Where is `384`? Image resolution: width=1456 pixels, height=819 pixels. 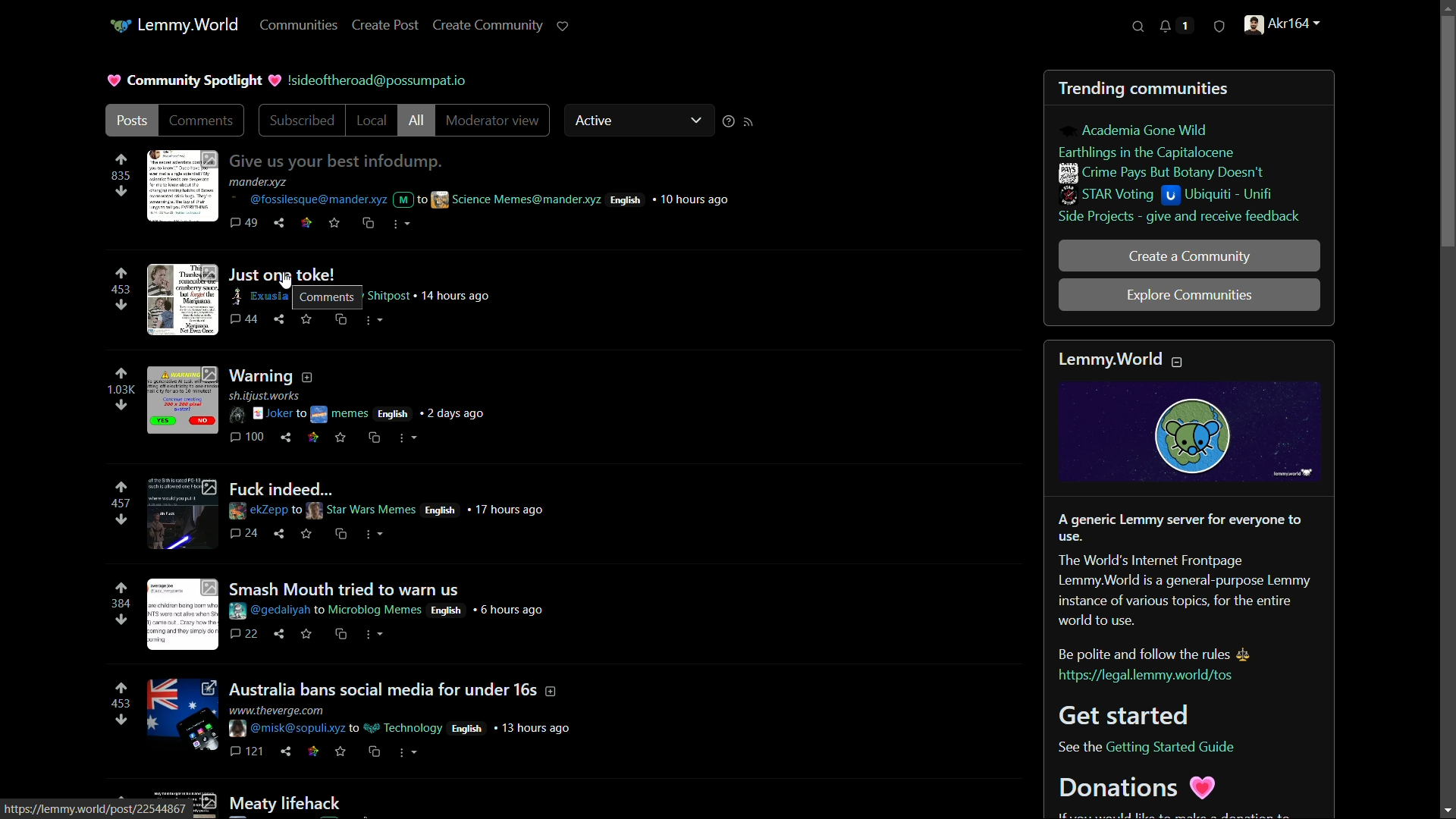
384 is located at coordinates (121, 604).